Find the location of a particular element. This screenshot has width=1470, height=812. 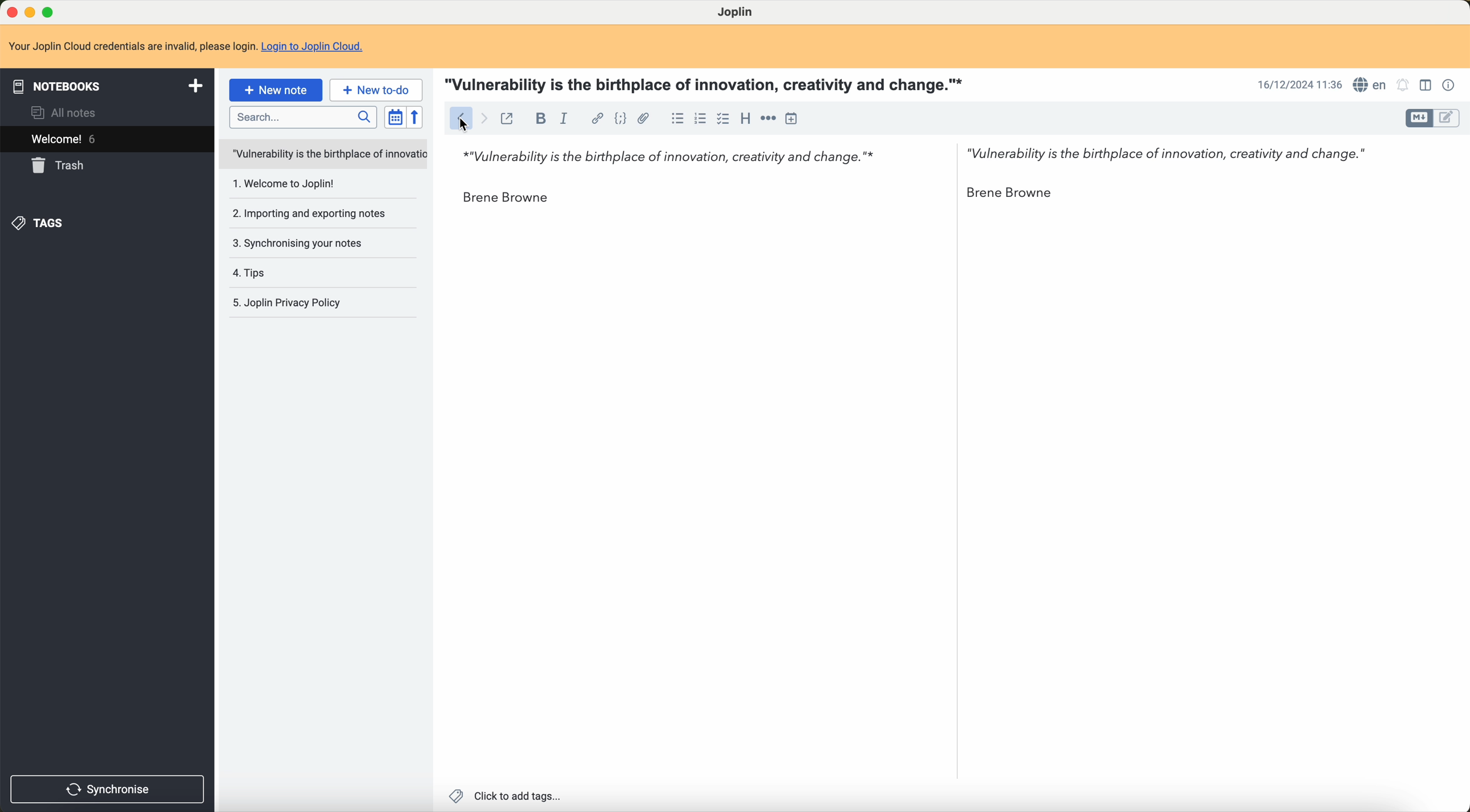

click to add tags is located at coordinates (507, 797).